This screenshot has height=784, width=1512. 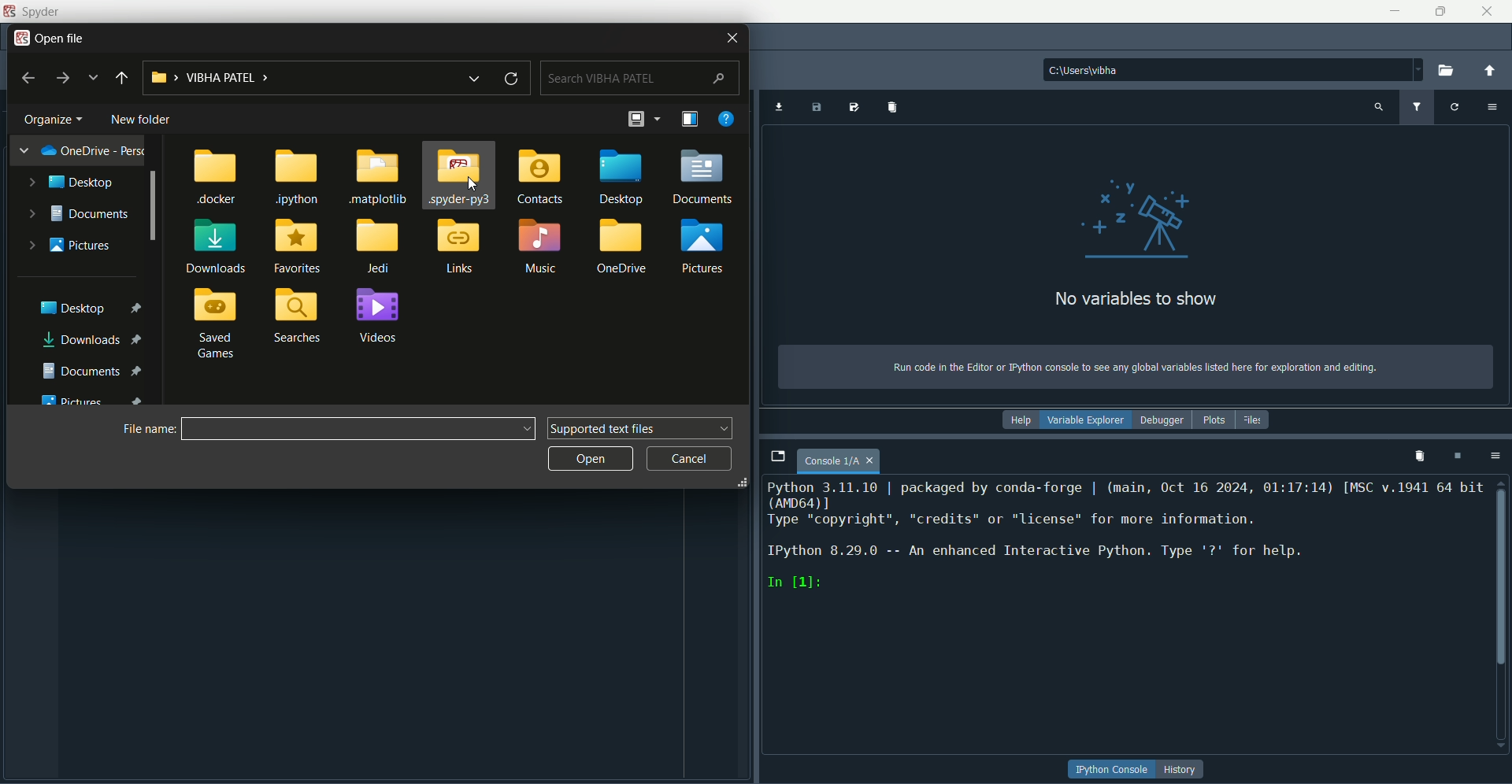 What do you see at coordinates (1165, 421) in the screenshot?
I see `debugger` at bounding box center [1165, 421].